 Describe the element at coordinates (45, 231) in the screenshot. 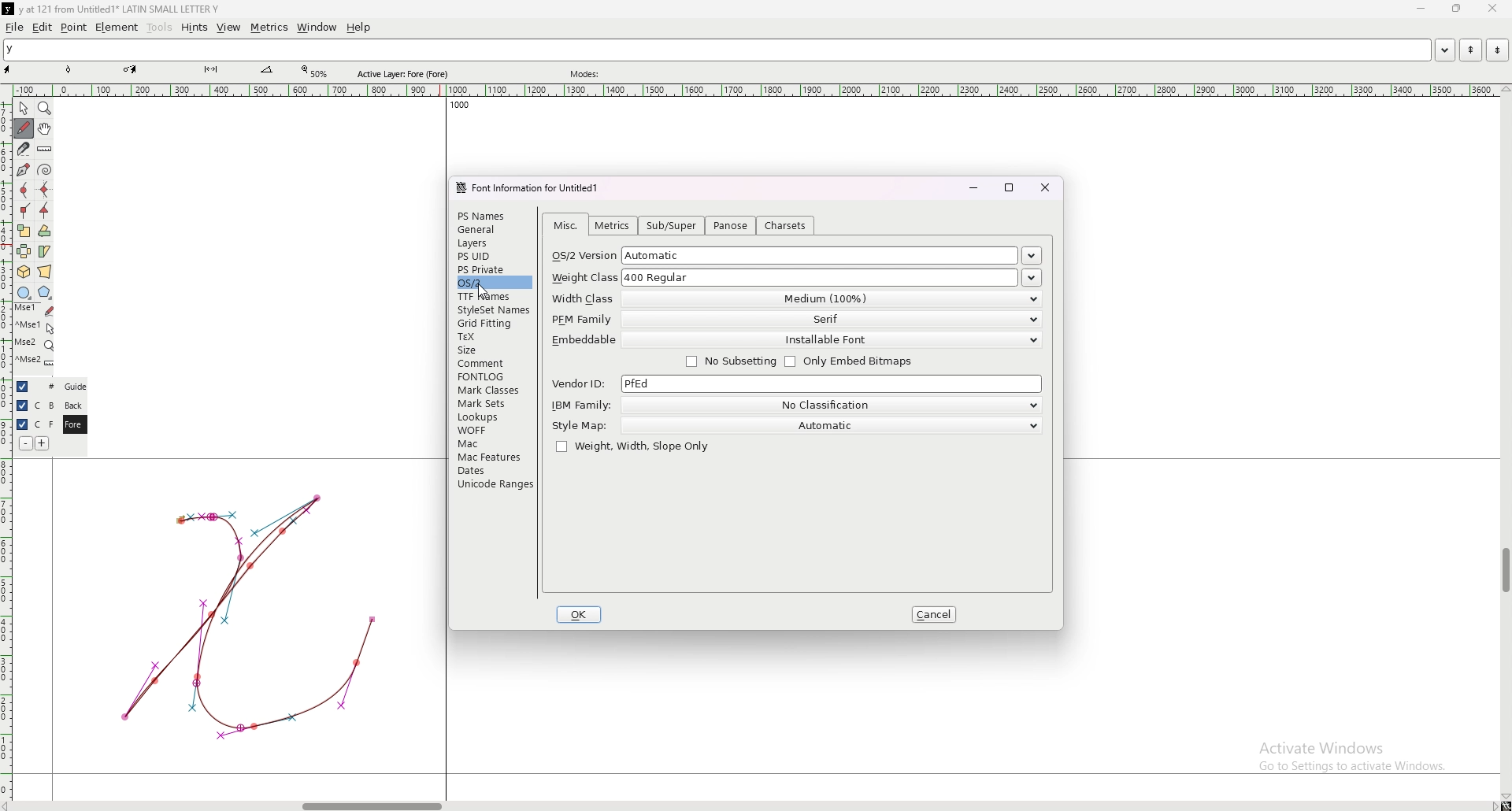

I see `rotate the selection` at that location.